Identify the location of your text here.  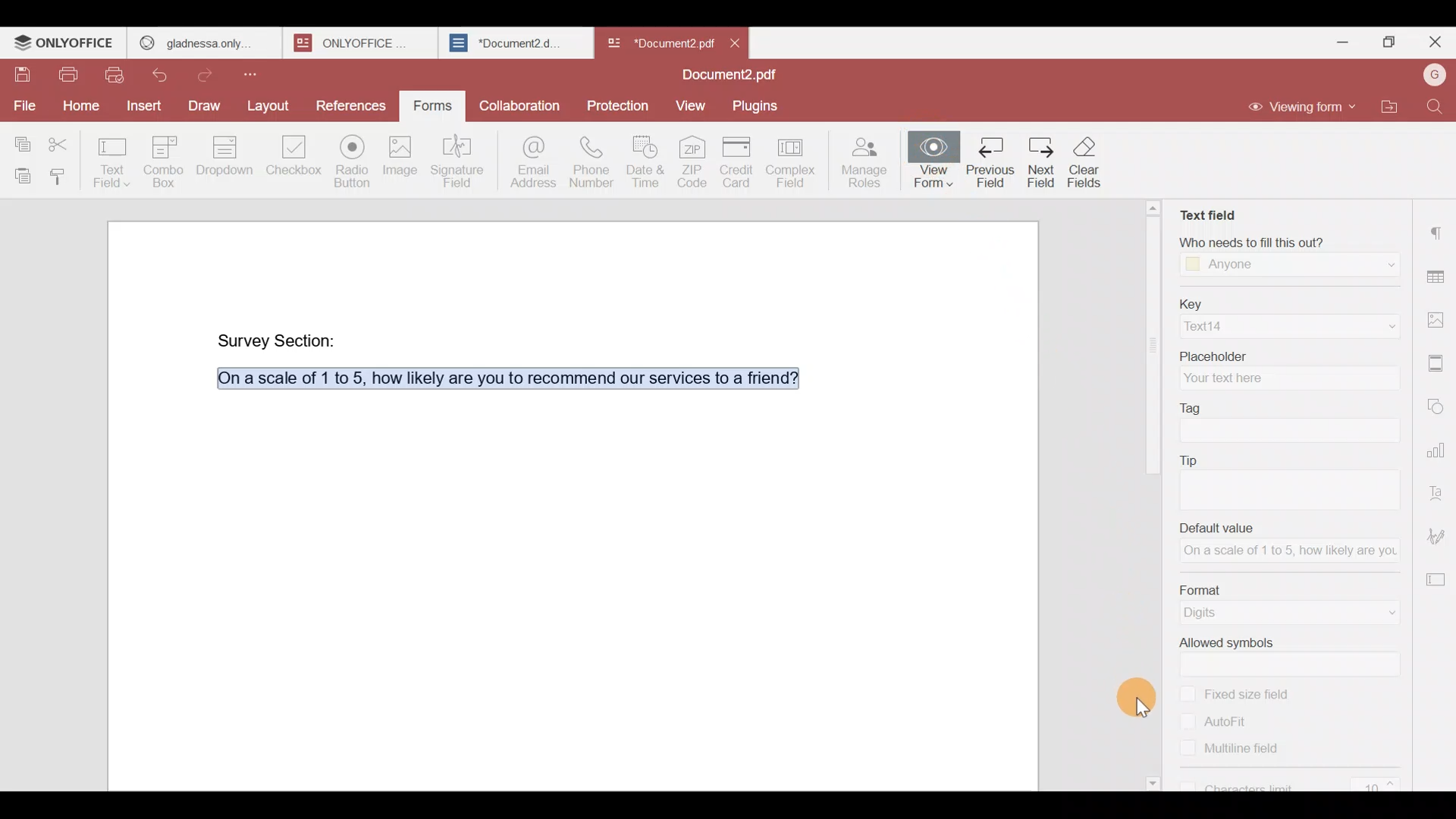
(1285, 377).